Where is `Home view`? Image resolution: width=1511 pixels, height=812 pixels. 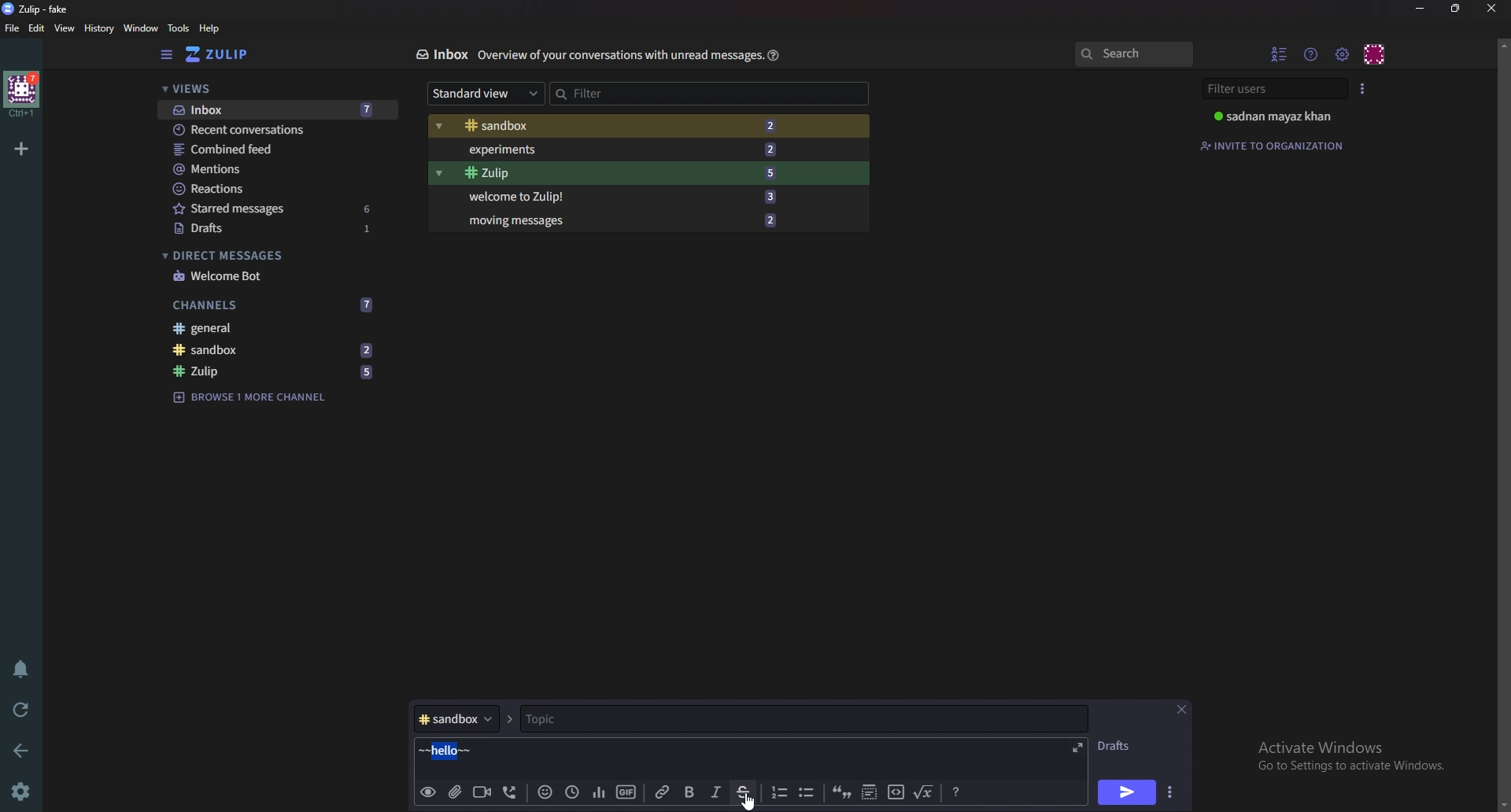 Home view is located at coordinates (222, 54).